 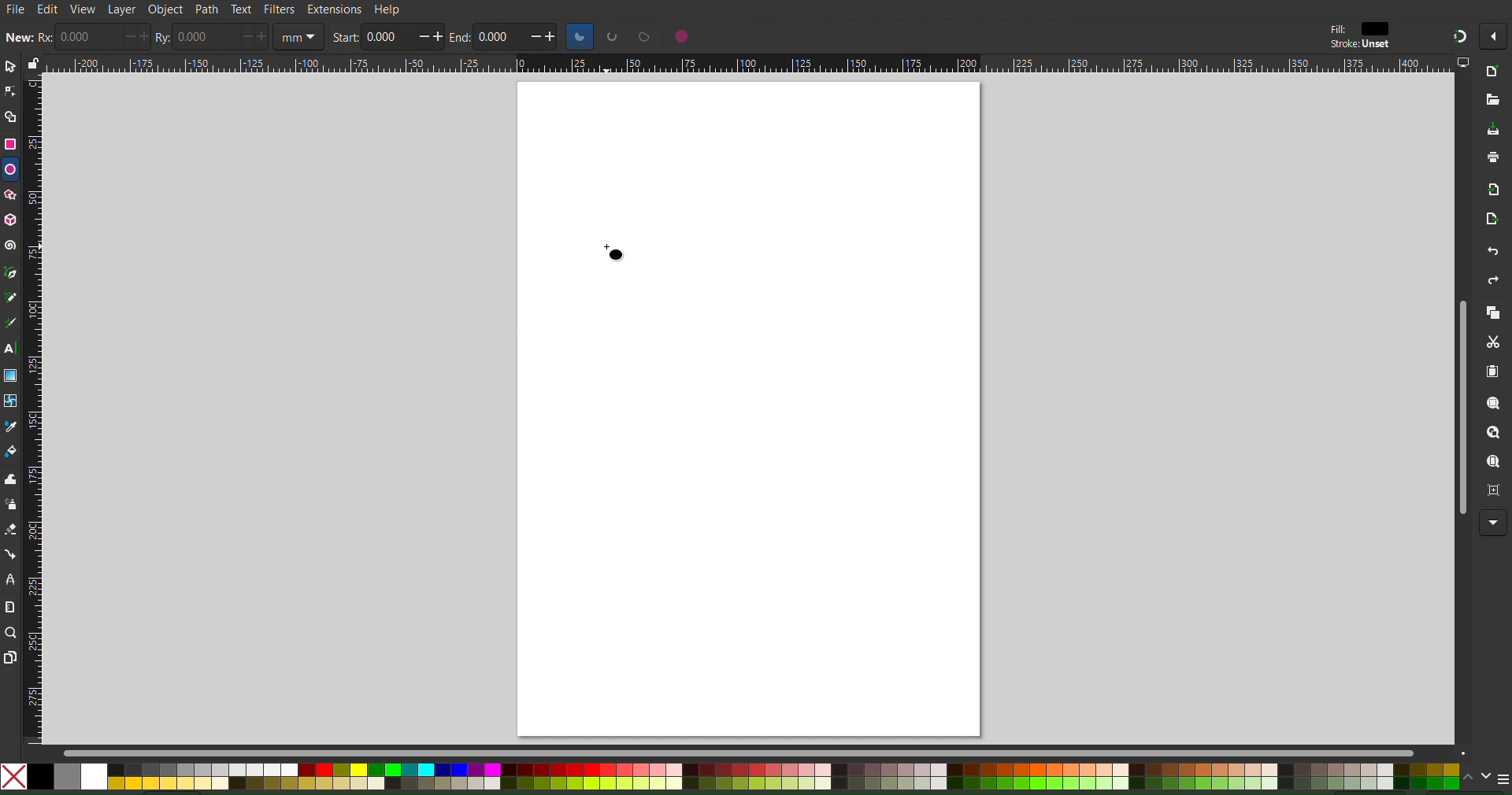 I want to click on Circle Pointer, so click(x=618, y=254).